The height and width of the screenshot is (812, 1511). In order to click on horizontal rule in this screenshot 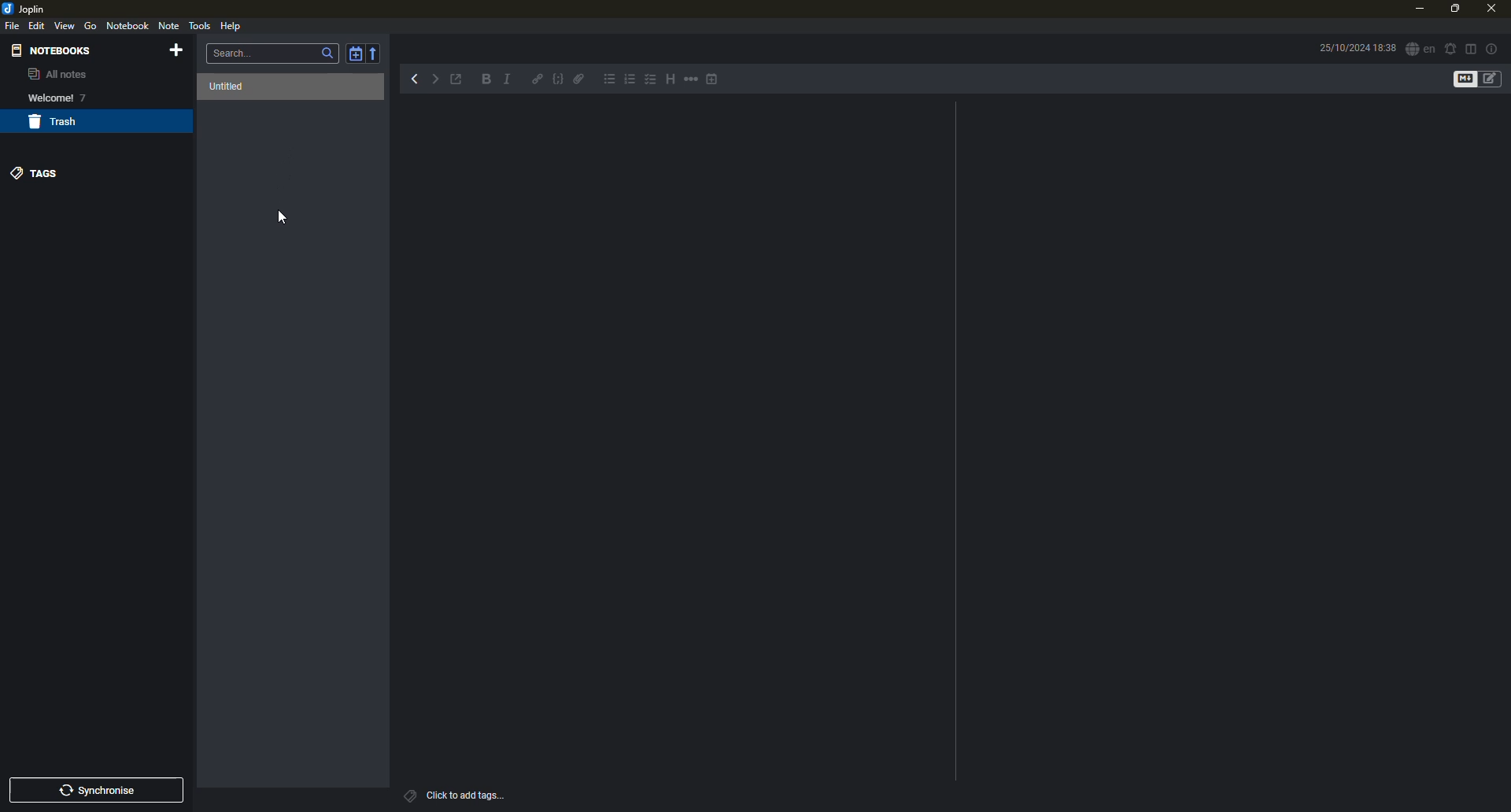, I will do `click(690, 81)`.